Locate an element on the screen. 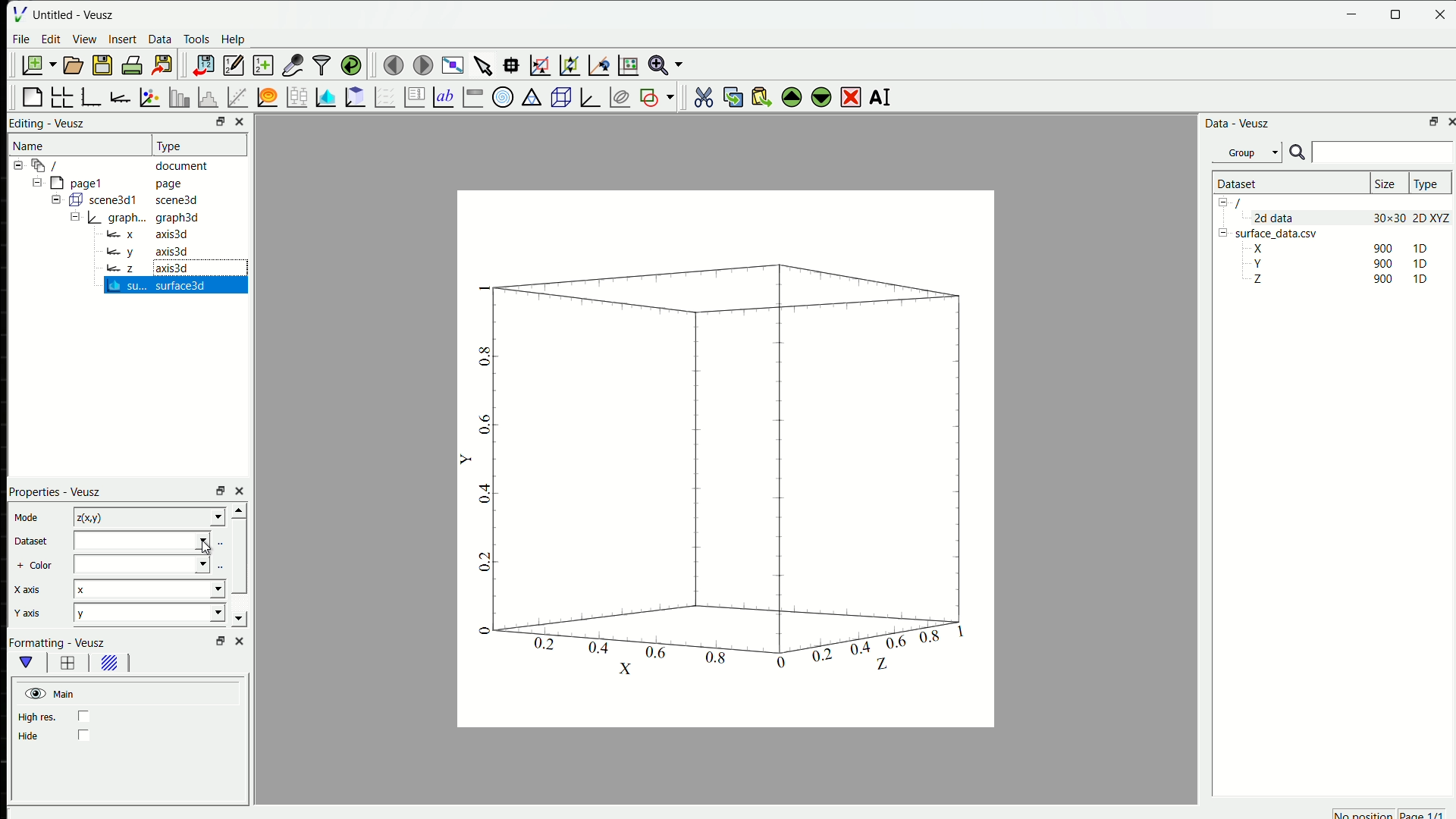 The width and height of the screenshot is (1456, 819). move the selected widget down is located at coordinates (821, 96).